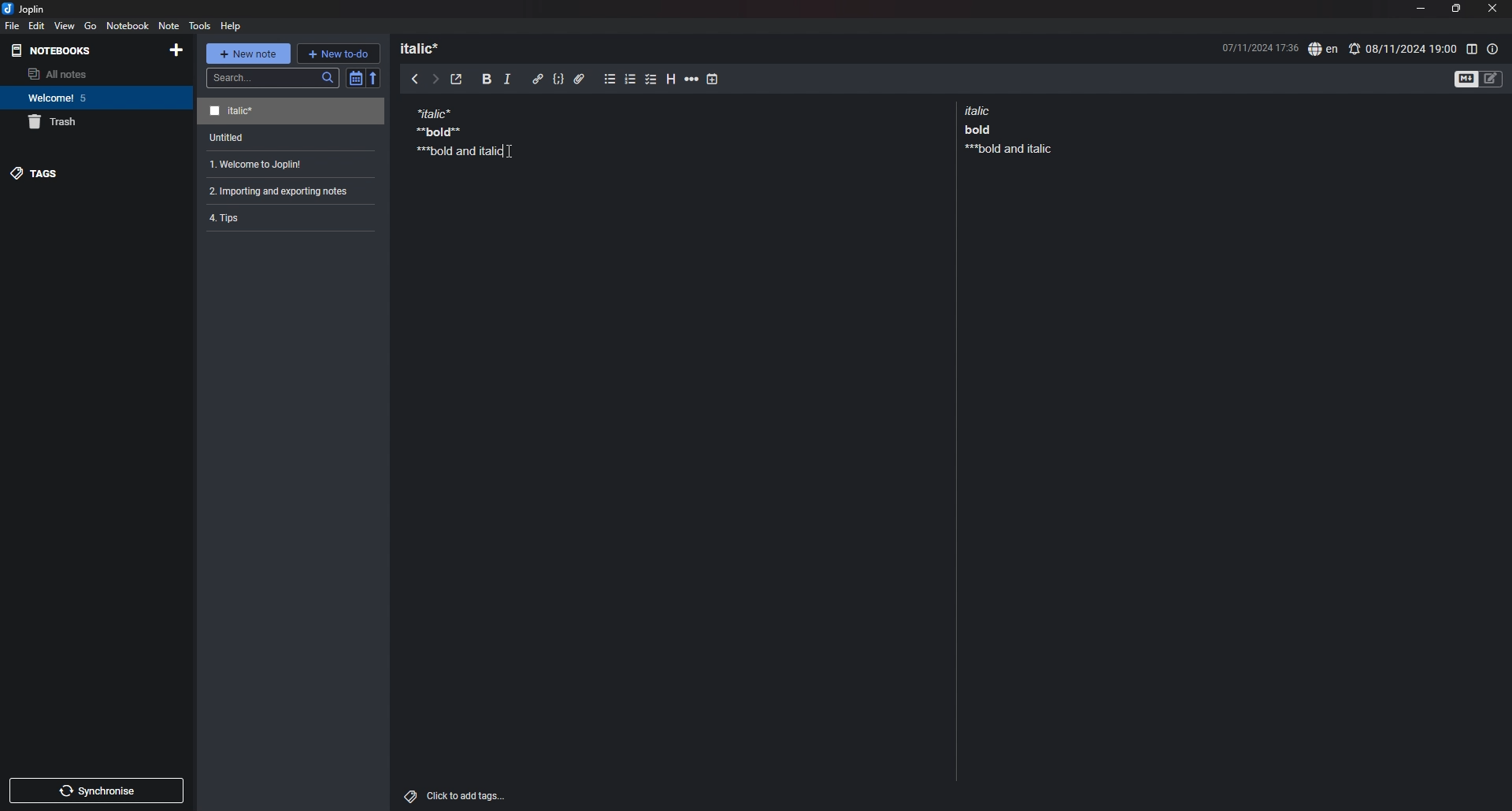 The height and width of the screenshot is (811, 1512). What do you see at coordinates (1005, 129) in the screenshot?
I see `note` at bounding box center [1005, 129].